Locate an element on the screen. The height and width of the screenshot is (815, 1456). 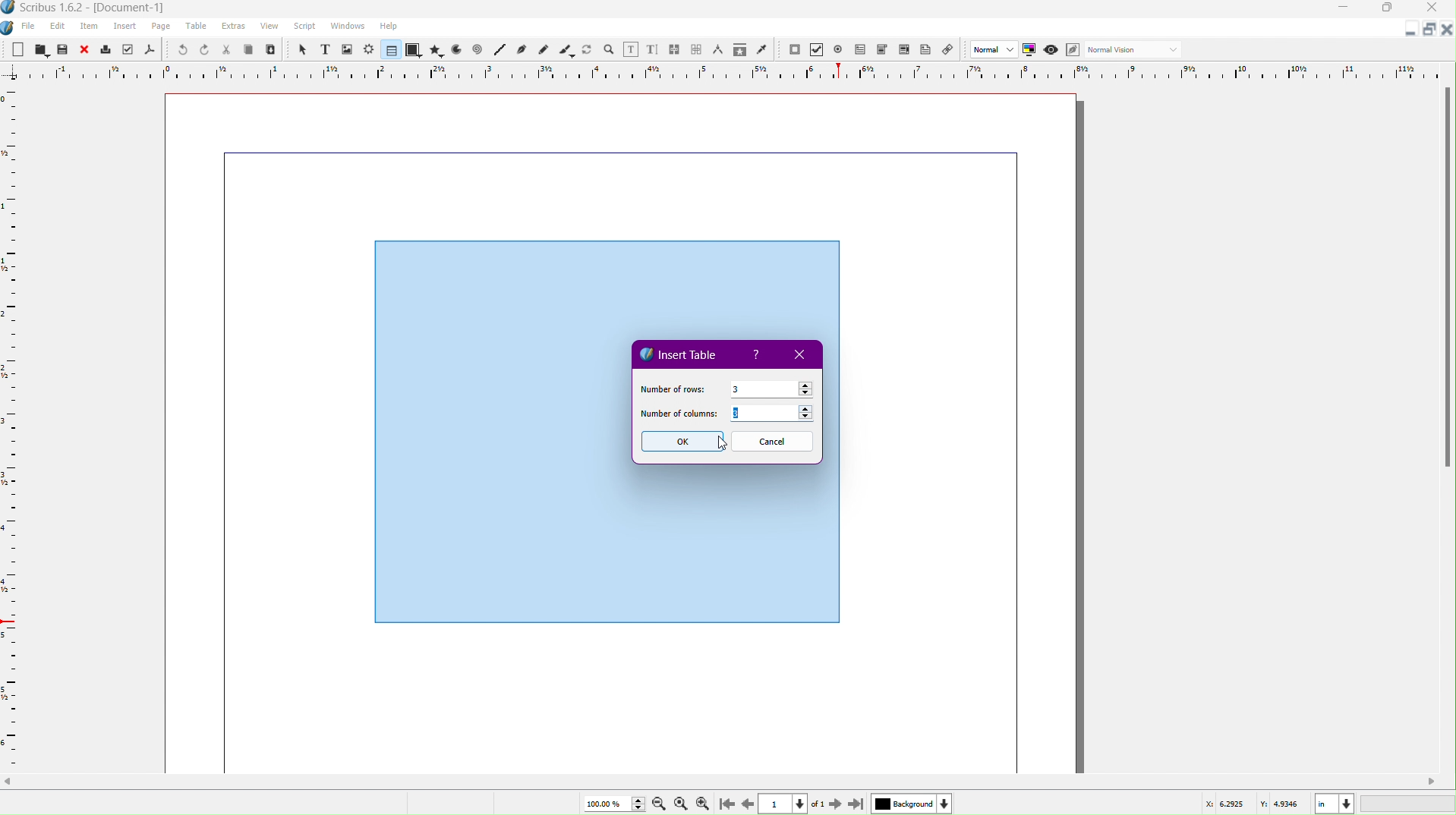
Coordinates is located at coordinates (1325, 802).